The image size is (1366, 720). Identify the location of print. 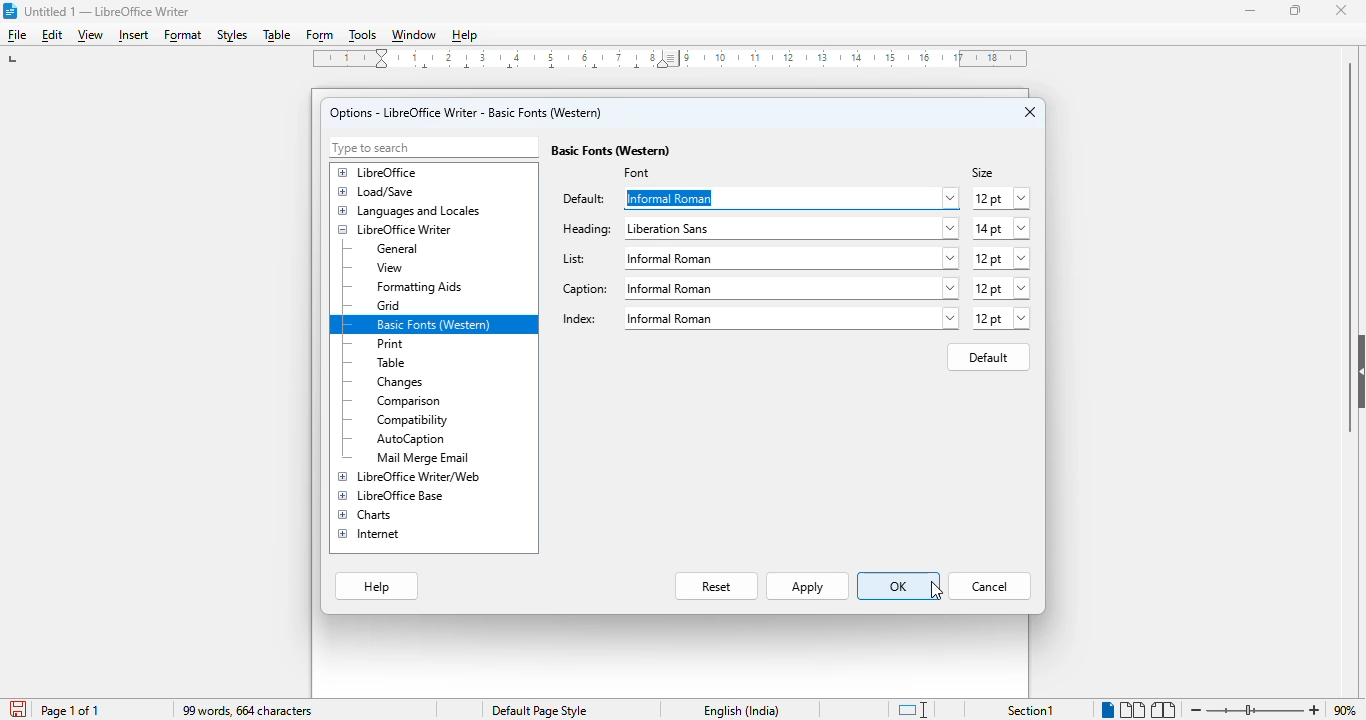
(389, 344).